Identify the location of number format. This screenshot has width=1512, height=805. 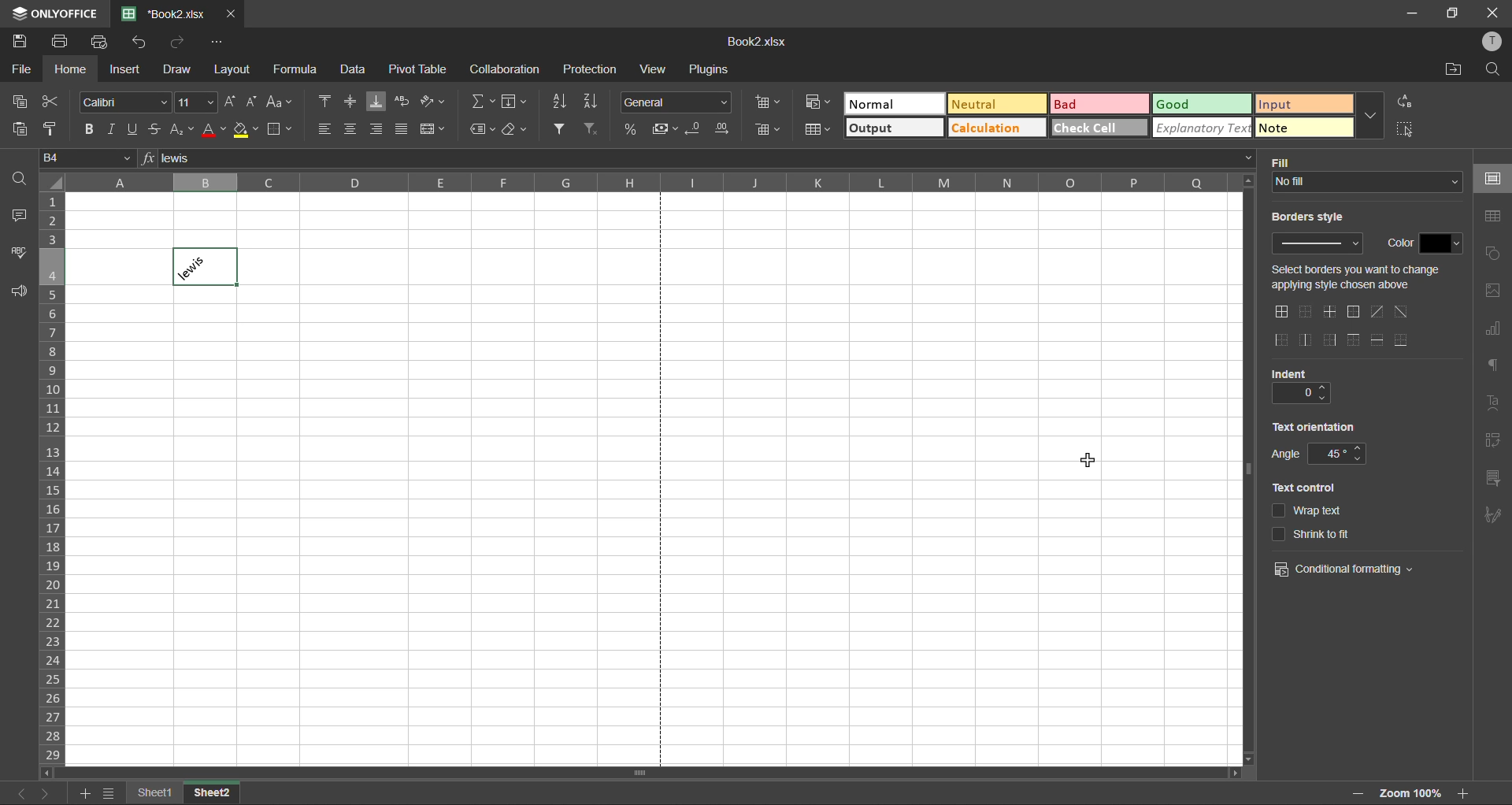
(678, 102).